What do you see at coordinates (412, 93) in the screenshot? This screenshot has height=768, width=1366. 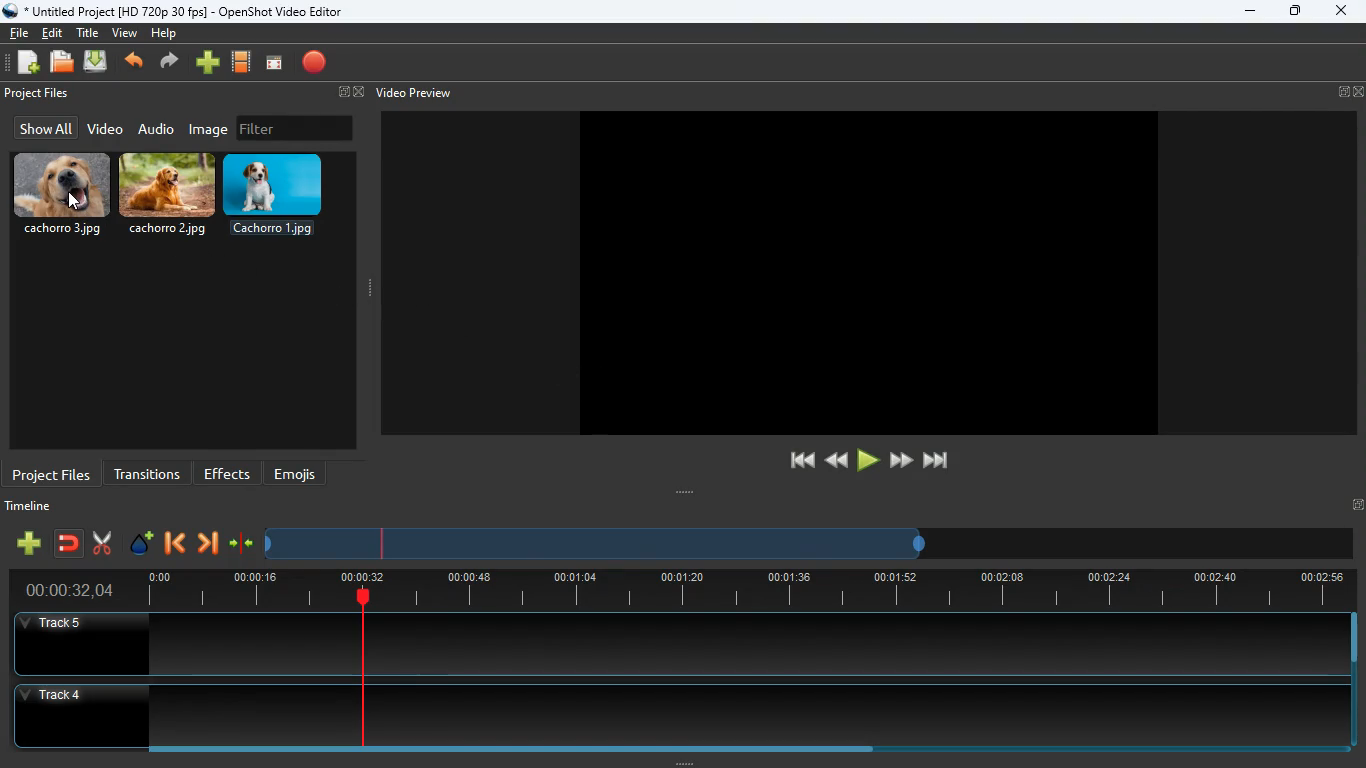 I see `video preview` at bounding box center [412, 93].